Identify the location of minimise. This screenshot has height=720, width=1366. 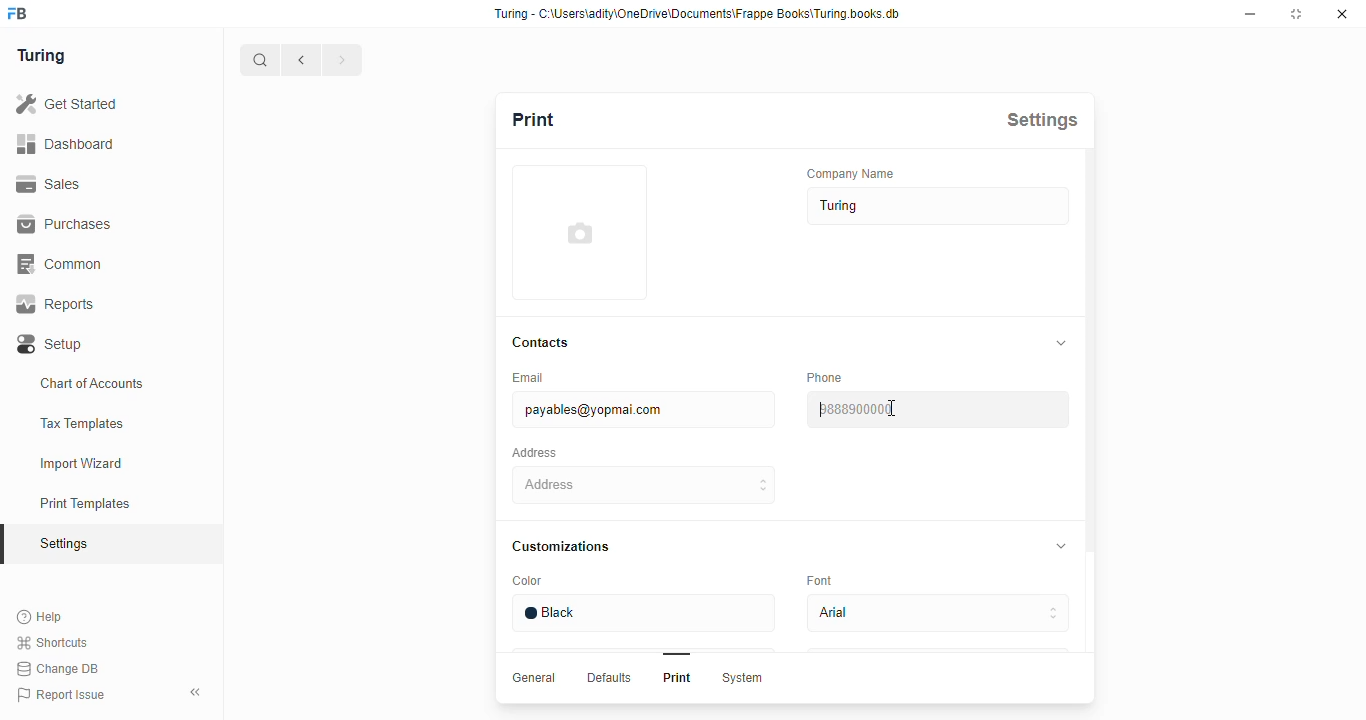
(1253, 13).